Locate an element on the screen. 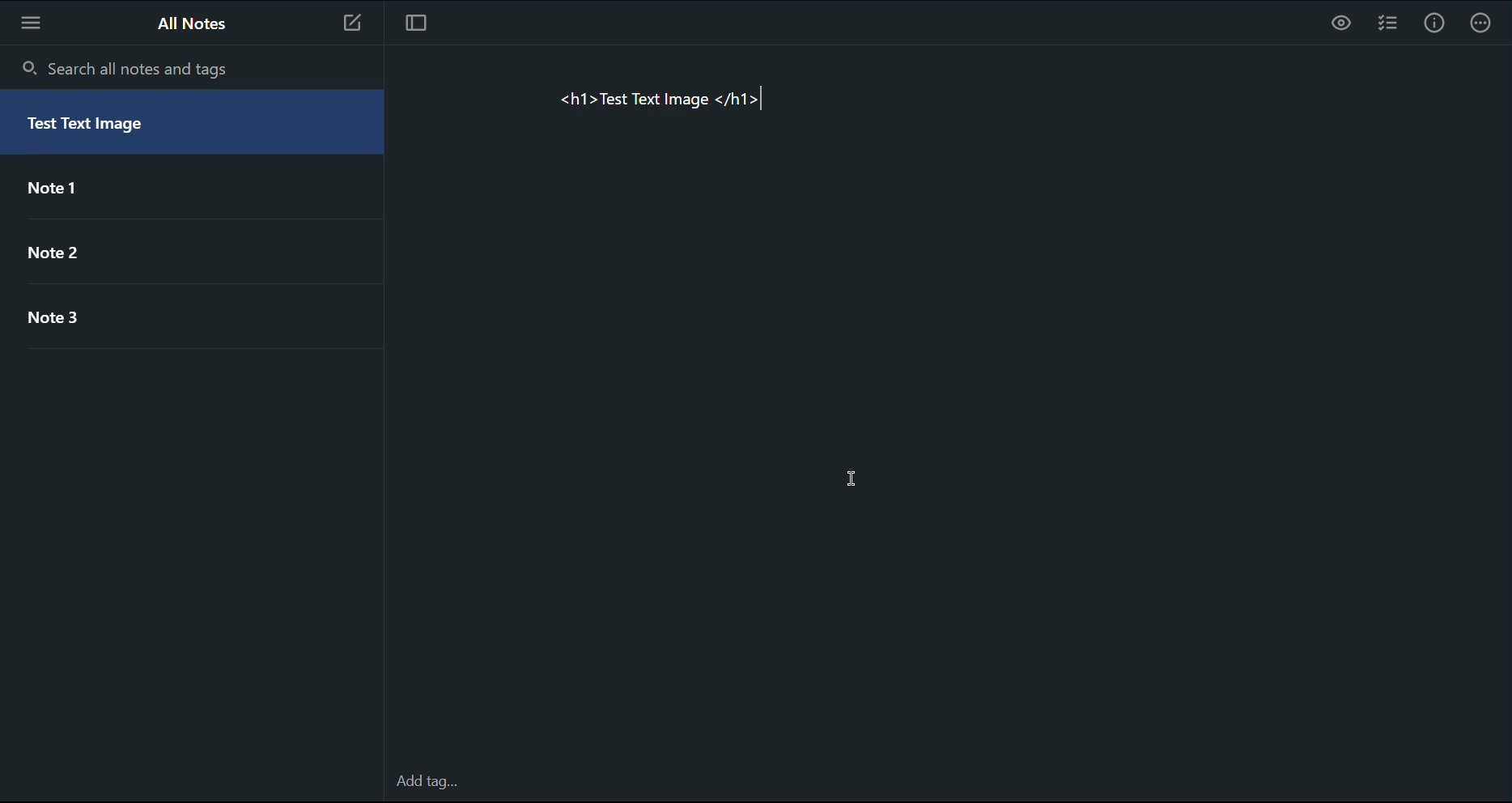 Image resolution: width=1512 pixels, height=803 pixels. Note 2 is located at coordinates (74, 250).